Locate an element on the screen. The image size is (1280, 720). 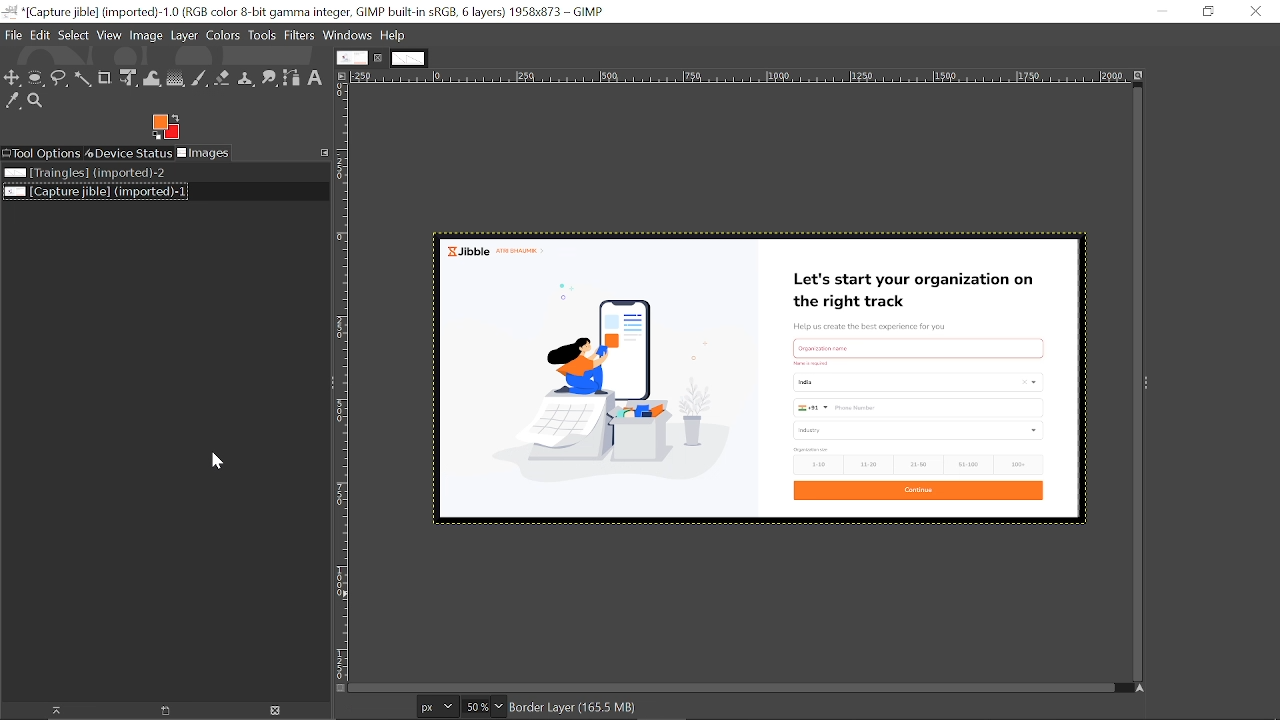
industry is located at coordinates (915, 430).